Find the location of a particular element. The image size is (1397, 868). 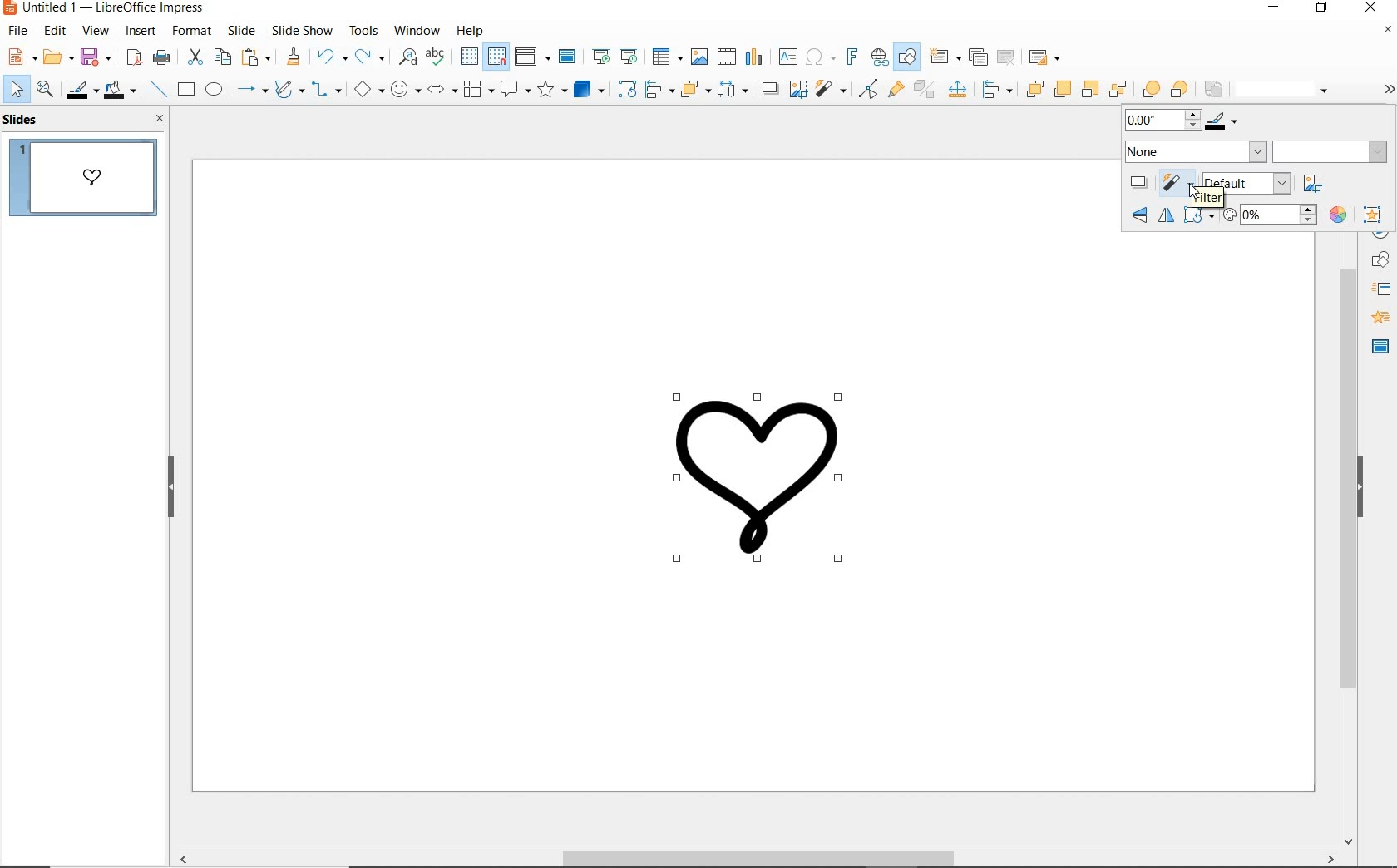

insert chart is located at coordinates (754, 60).